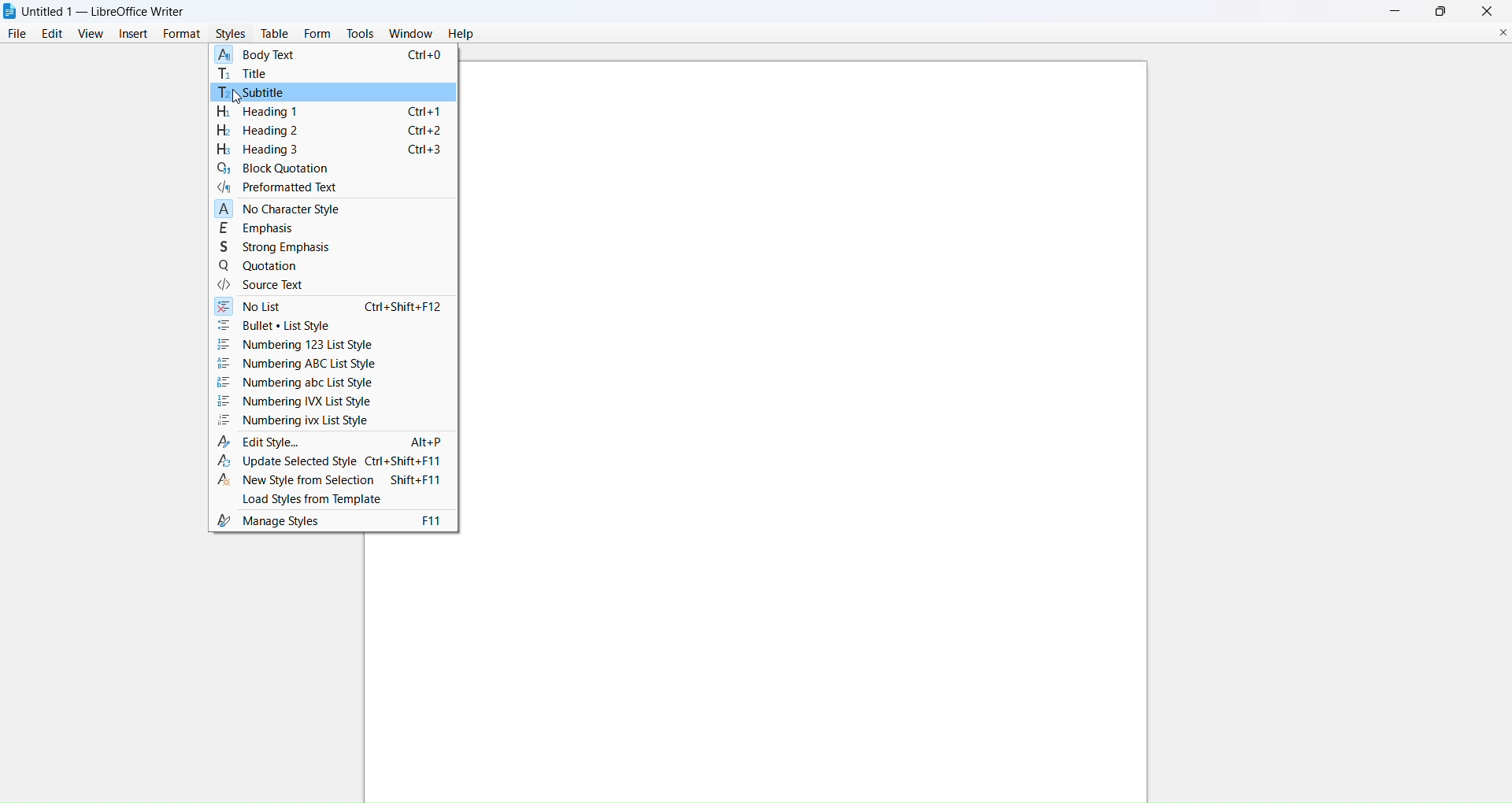 This screenshot has width=1512, height=803. I want to click on help, so click(465, 35).